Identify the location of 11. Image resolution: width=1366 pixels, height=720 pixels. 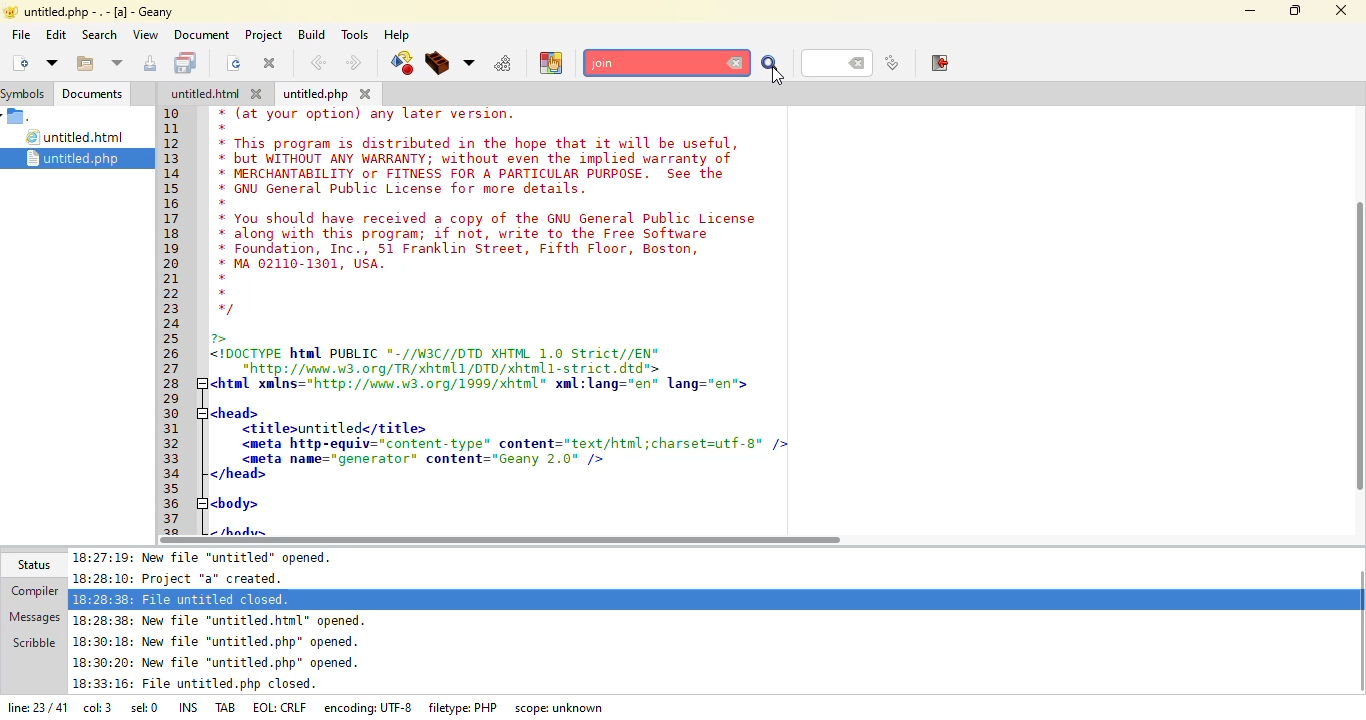
(173, 131).